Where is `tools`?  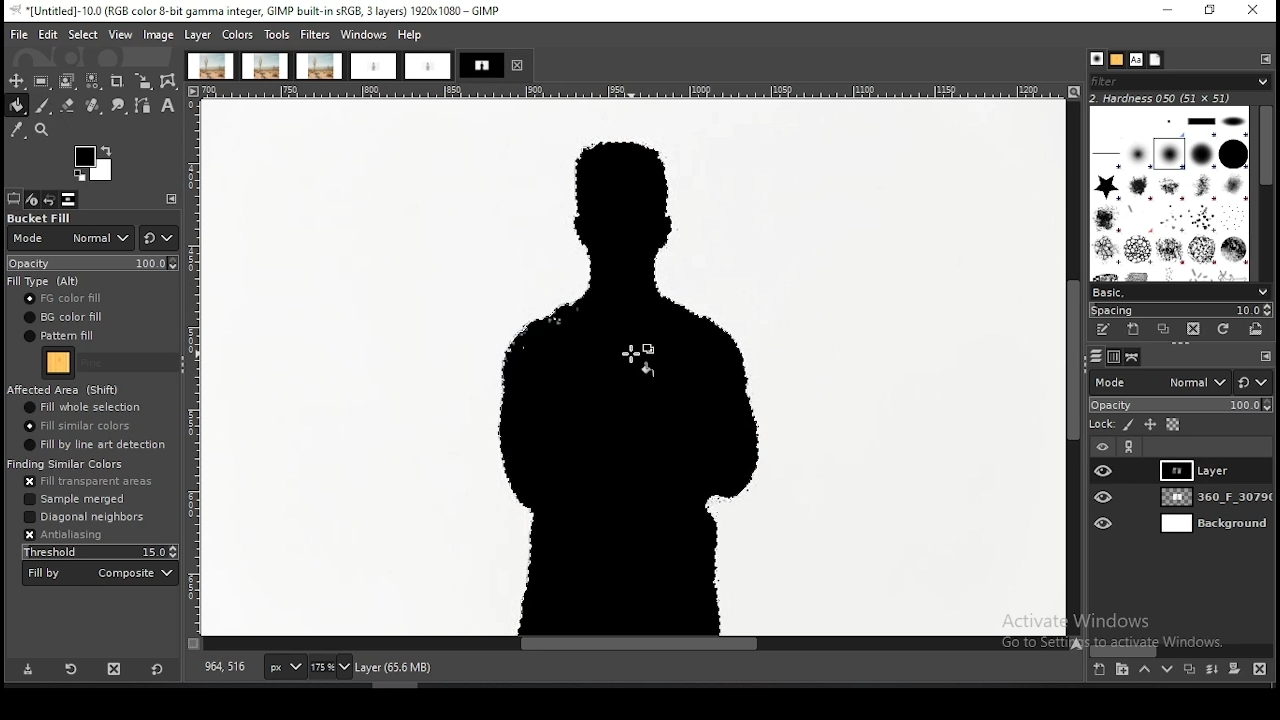
tools is located at coordinates (277, 36).